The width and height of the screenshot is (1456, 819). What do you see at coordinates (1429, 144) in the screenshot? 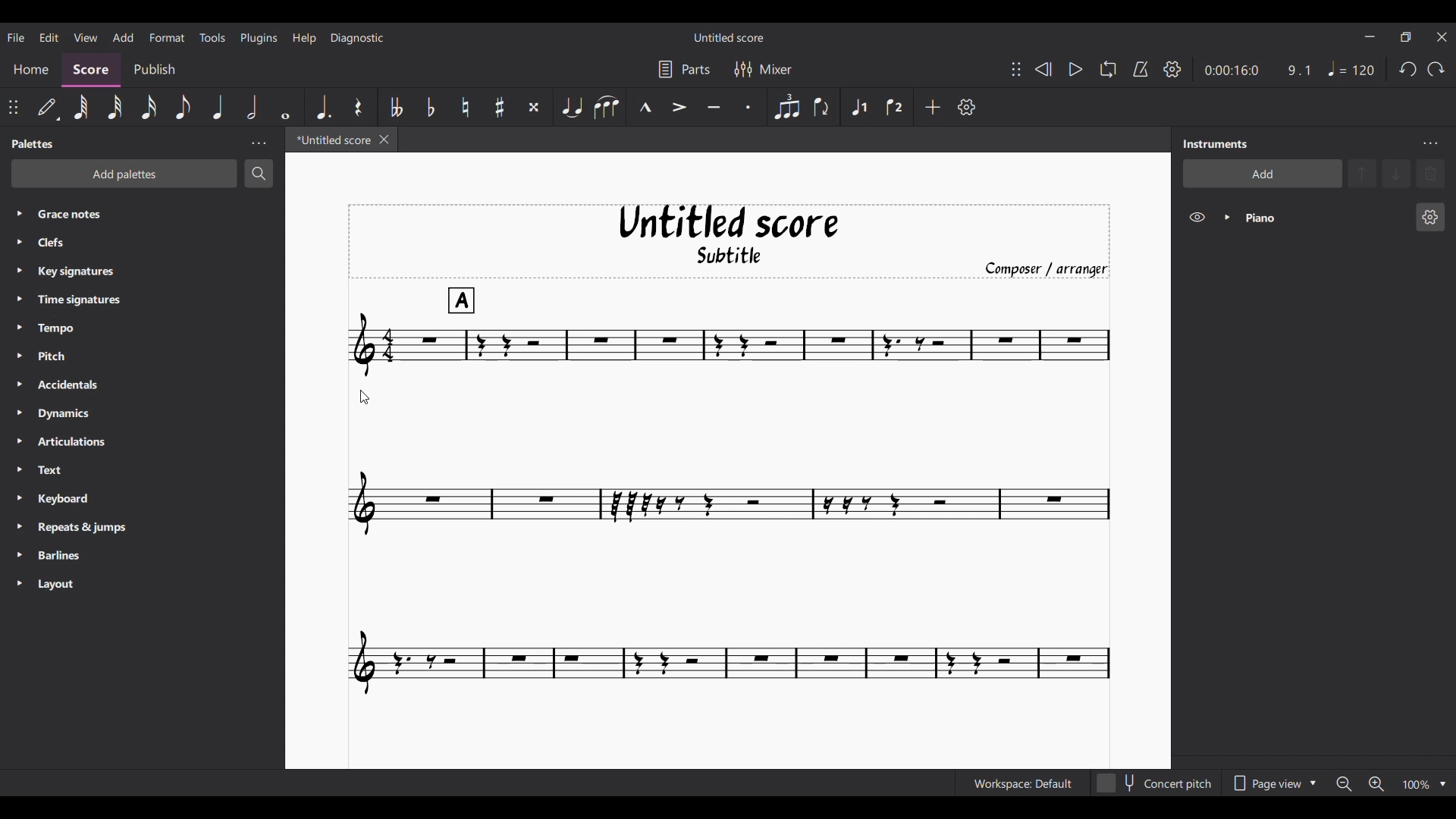
I see `Instrument settings` at bounding box center [1429, 144].